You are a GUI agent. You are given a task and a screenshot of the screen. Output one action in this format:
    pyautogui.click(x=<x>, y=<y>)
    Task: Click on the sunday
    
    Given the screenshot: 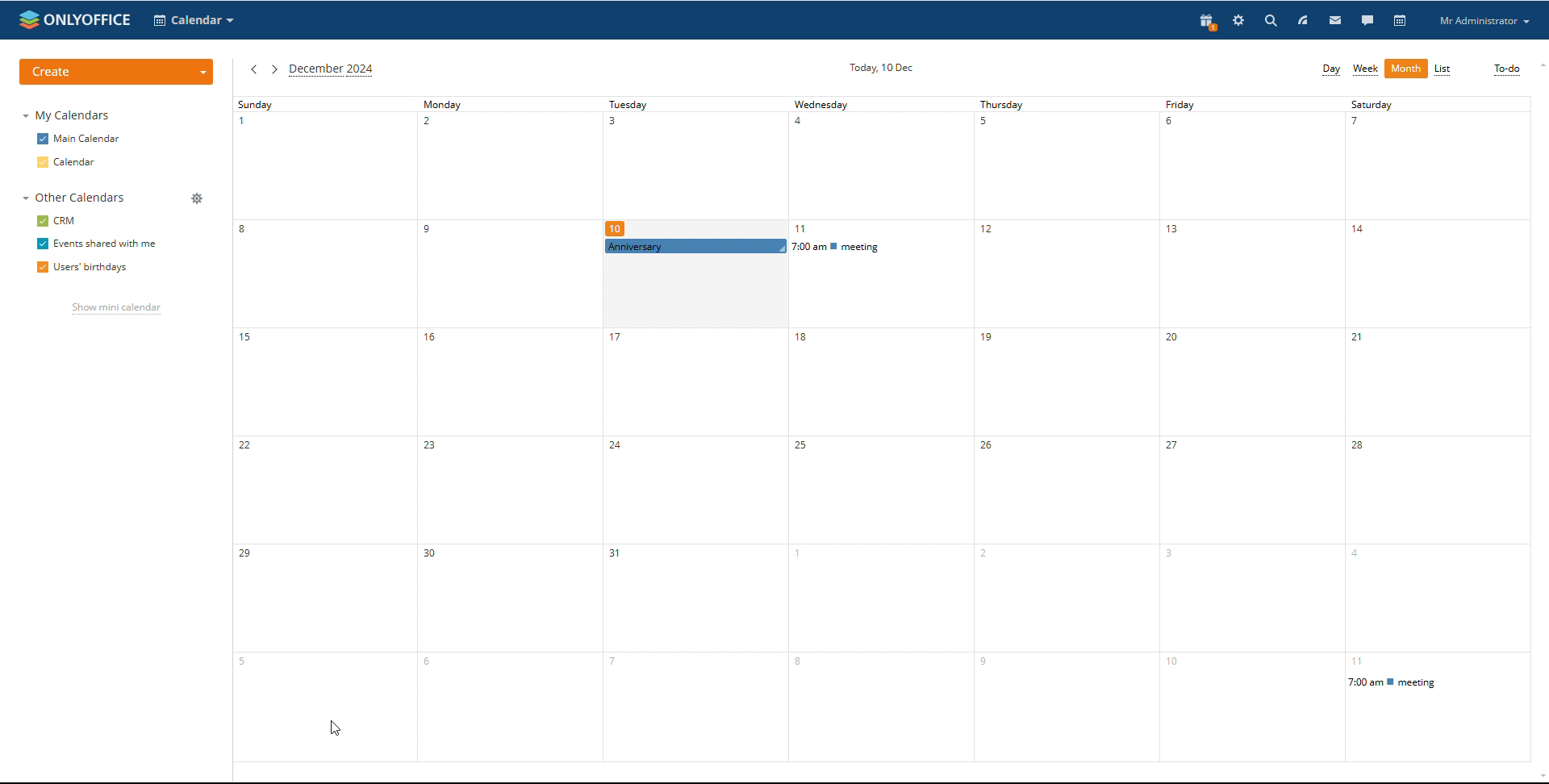 What is the action you would take?
    pyautogui.click(x=320, y=428)
    